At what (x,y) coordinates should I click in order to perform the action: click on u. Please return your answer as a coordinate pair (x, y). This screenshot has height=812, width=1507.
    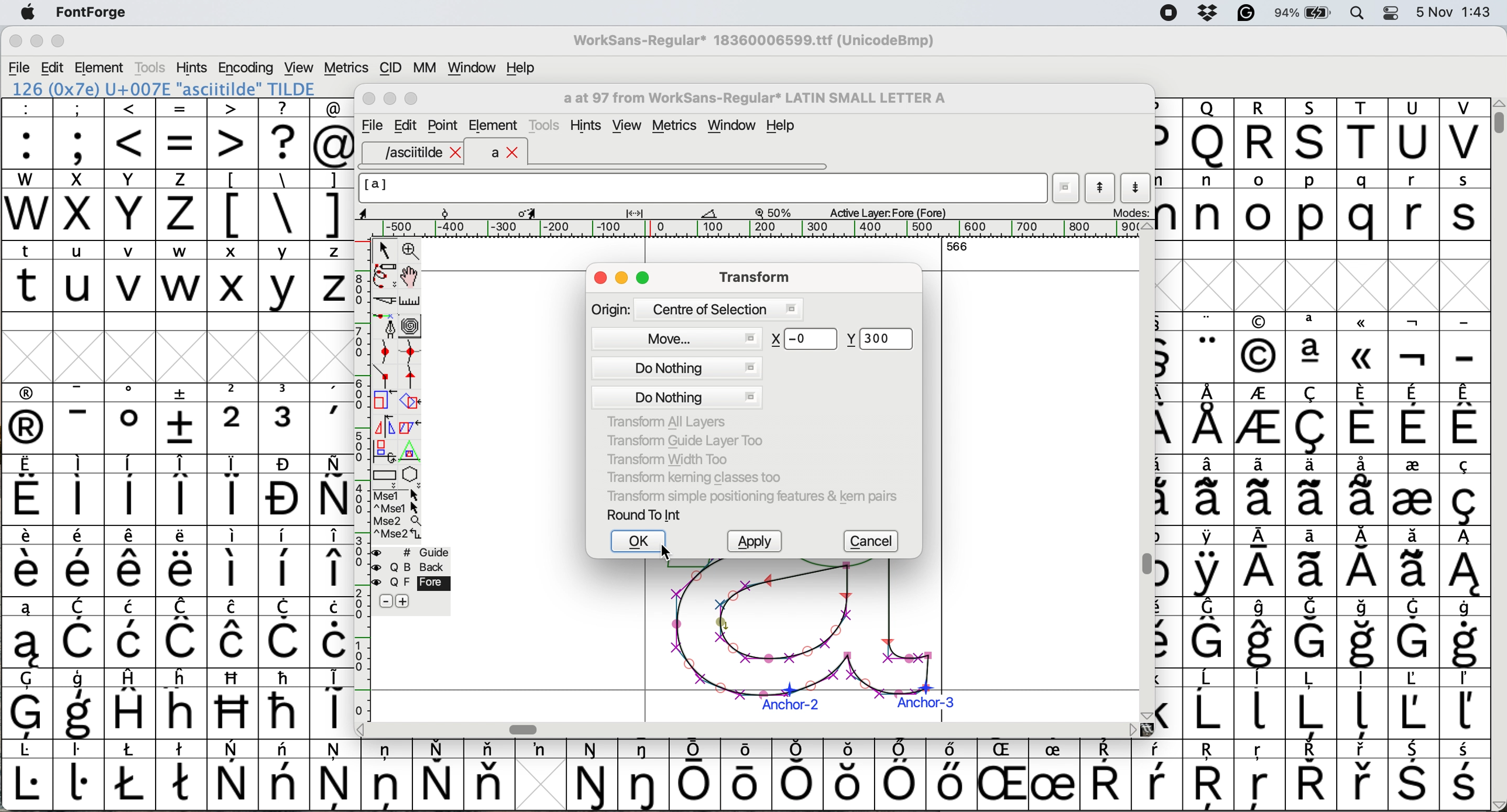
    Looking at the image, I should click on (80, 276).